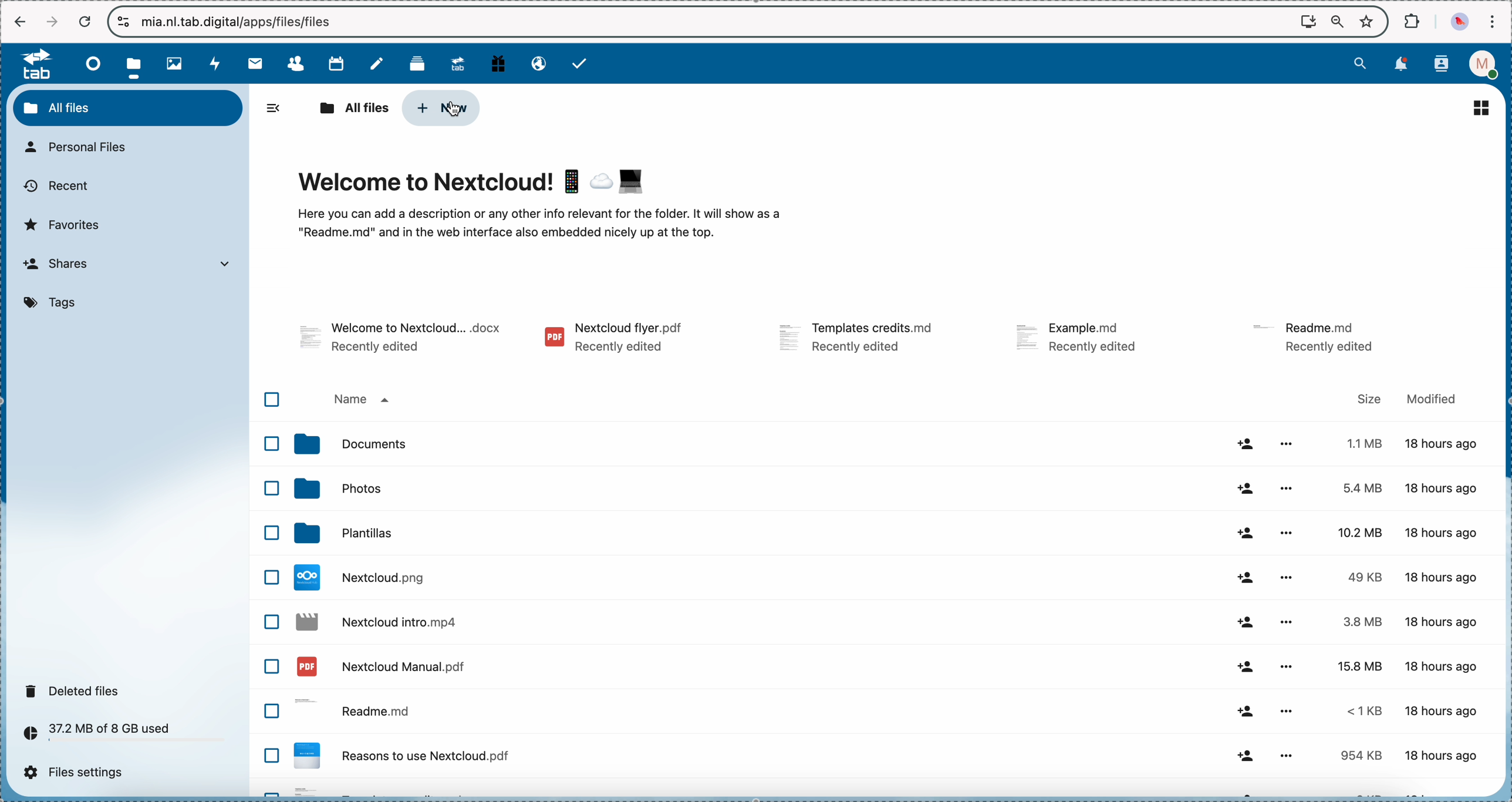 The image size is (1512, 802). Describe the element at coordinates (1503, 312) in the screenshot. I see `scroll bar` at that location.